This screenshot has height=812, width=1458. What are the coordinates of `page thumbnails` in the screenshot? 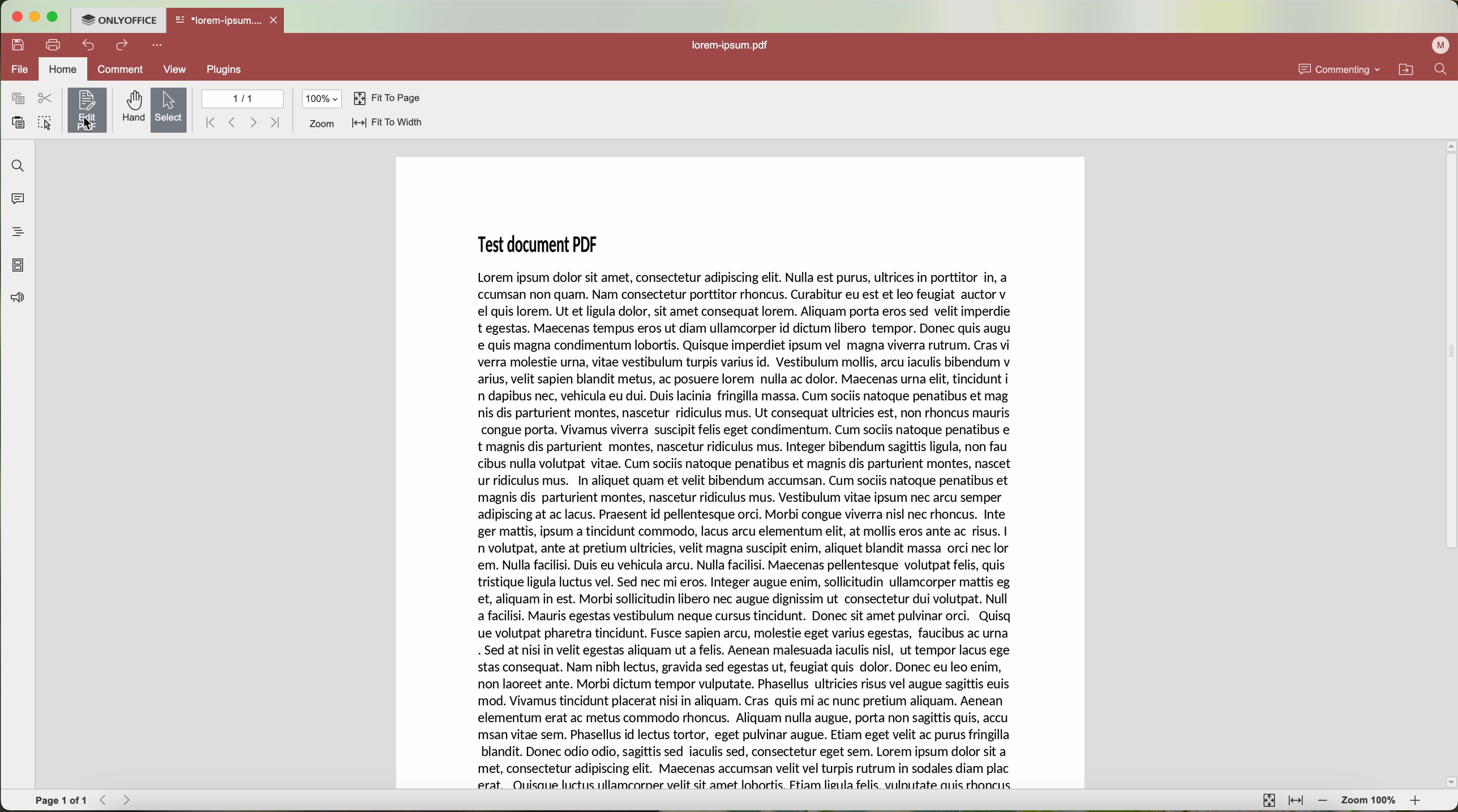 It's located at (18, 265).